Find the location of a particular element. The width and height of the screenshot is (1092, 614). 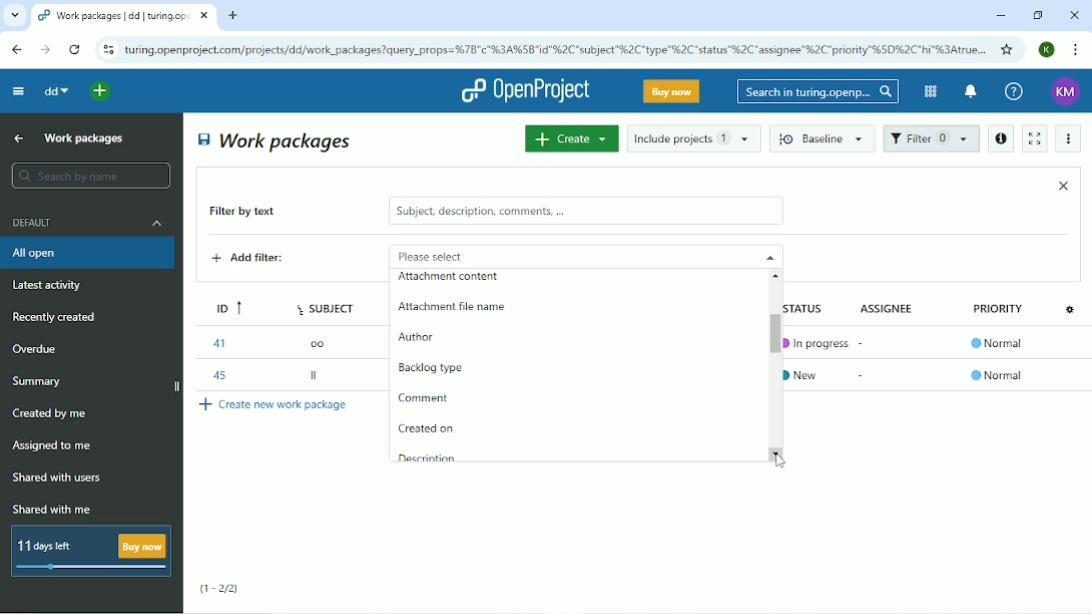

New tab is located at coordinates (233, 16).